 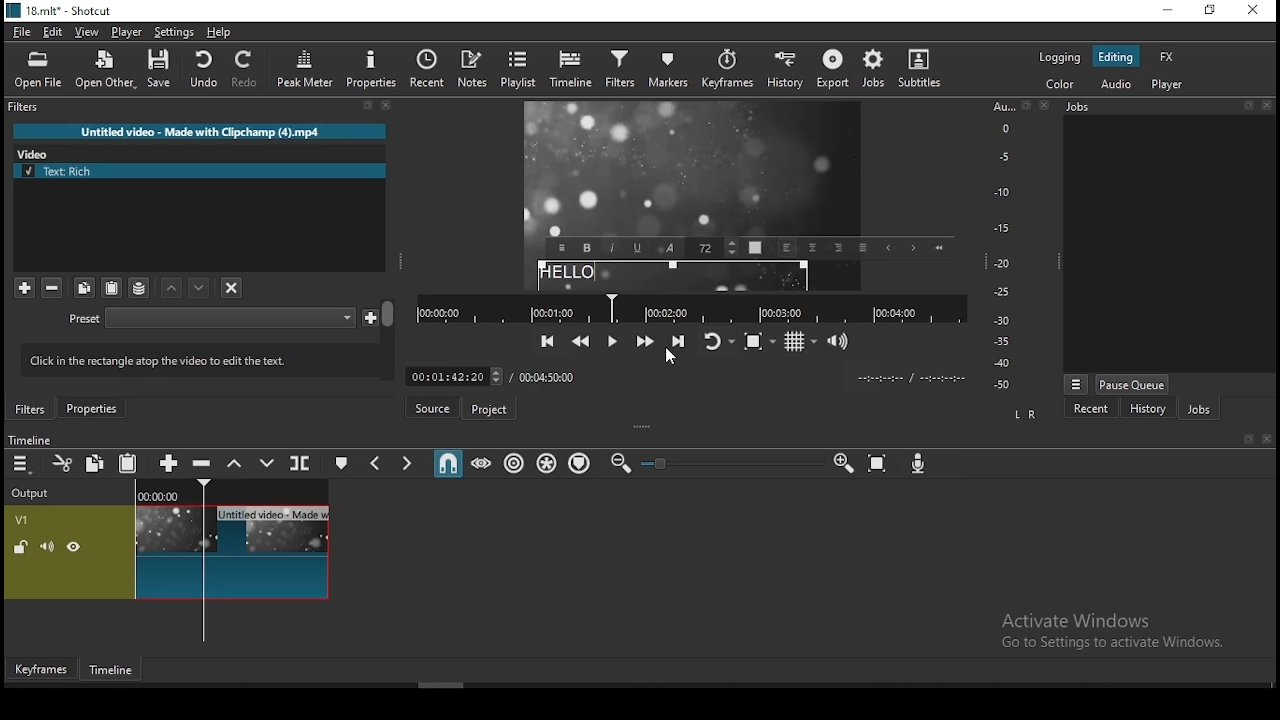 I want to click on history, so click(x=784, y=73).